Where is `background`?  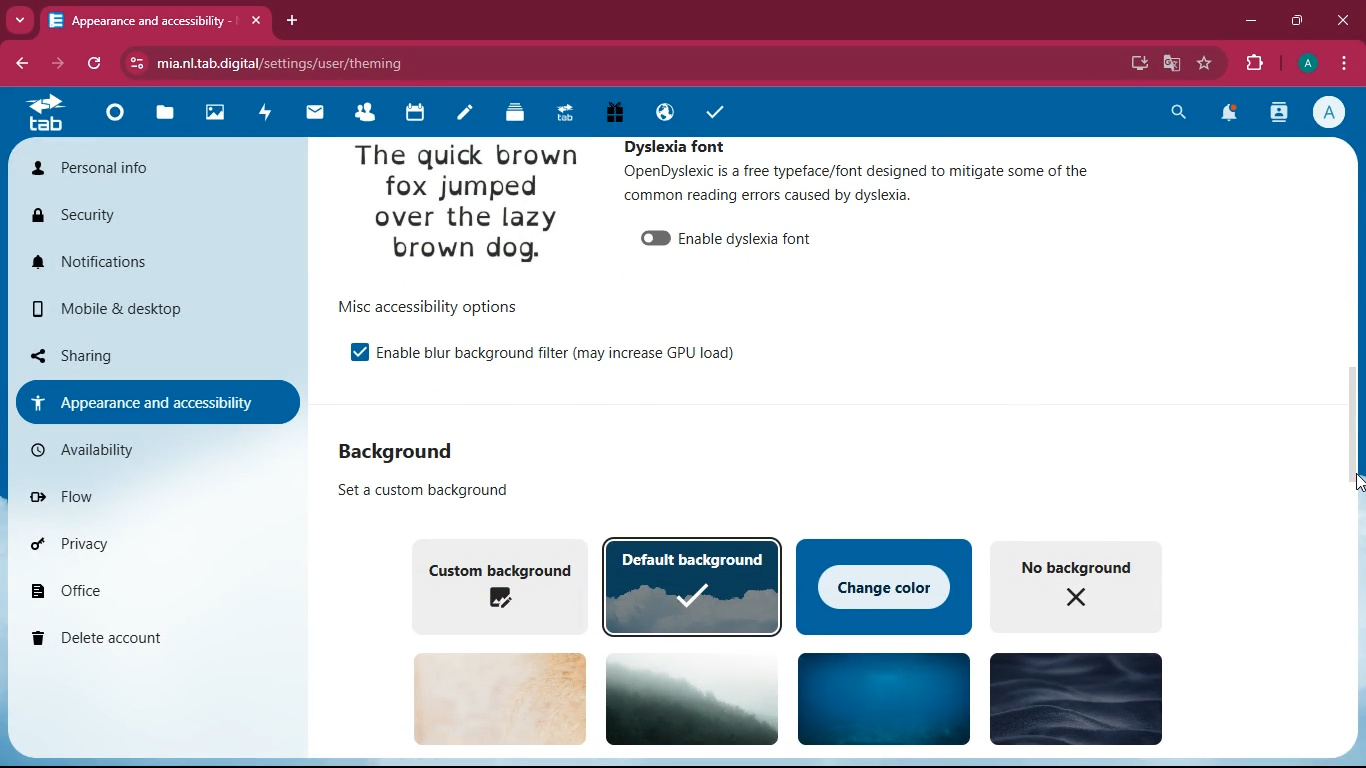 background is located at coordinates (500, 698).